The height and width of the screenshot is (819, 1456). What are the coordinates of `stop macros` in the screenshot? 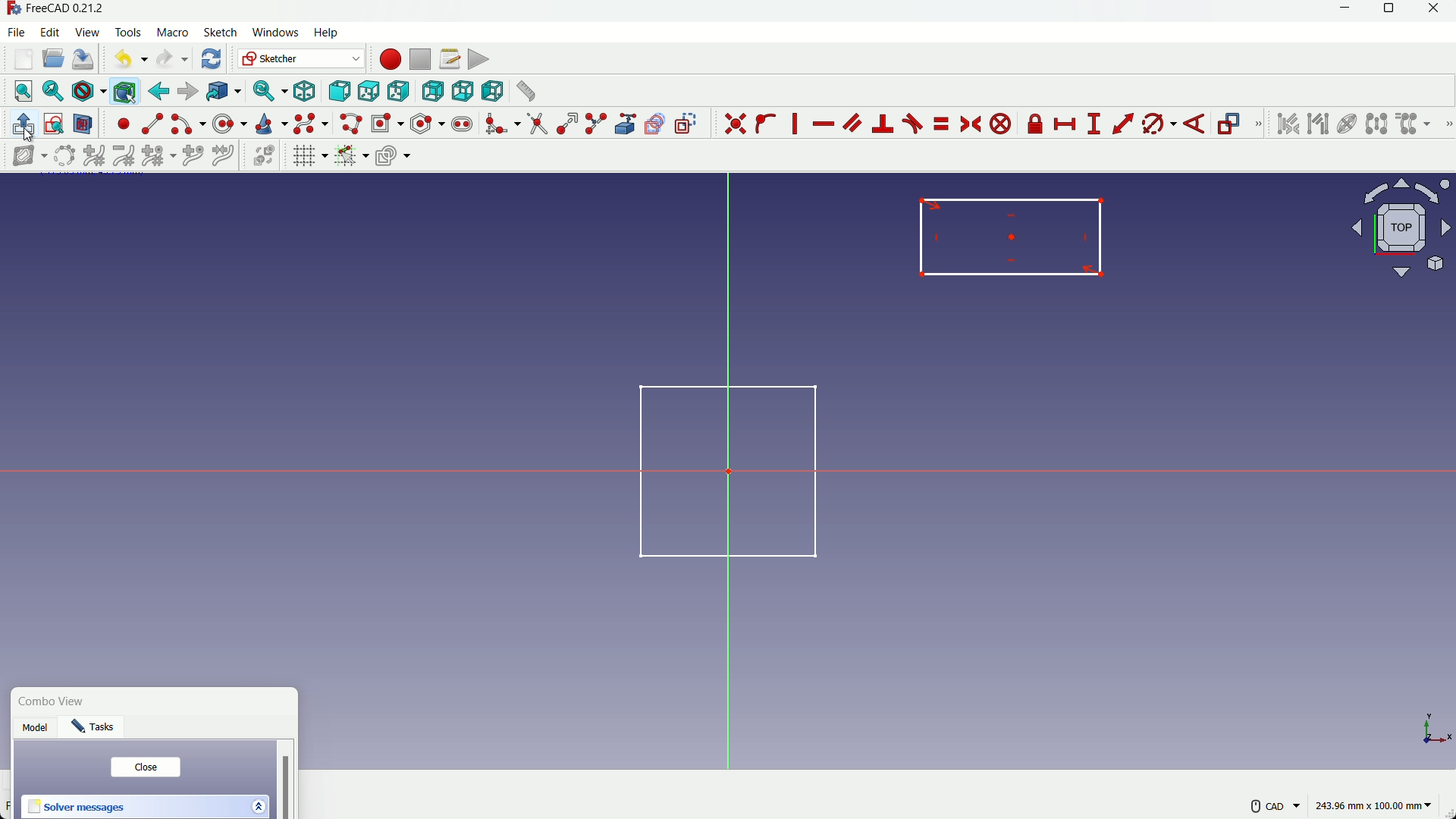 It's located at (419, 60).